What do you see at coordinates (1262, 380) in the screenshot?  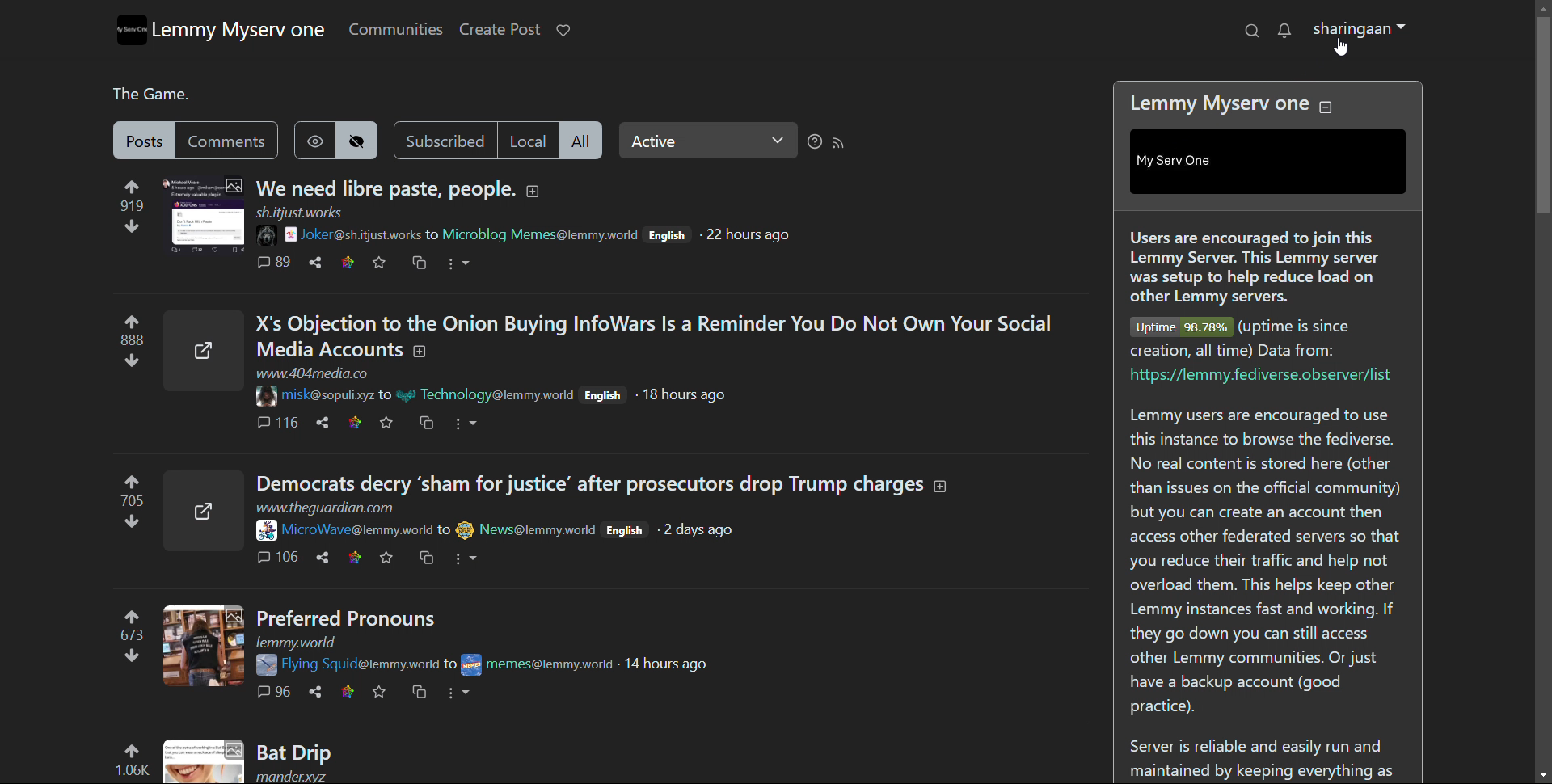 I see `https://lemmy.fediverse.observer/list` at bounding box center [1262, 380].